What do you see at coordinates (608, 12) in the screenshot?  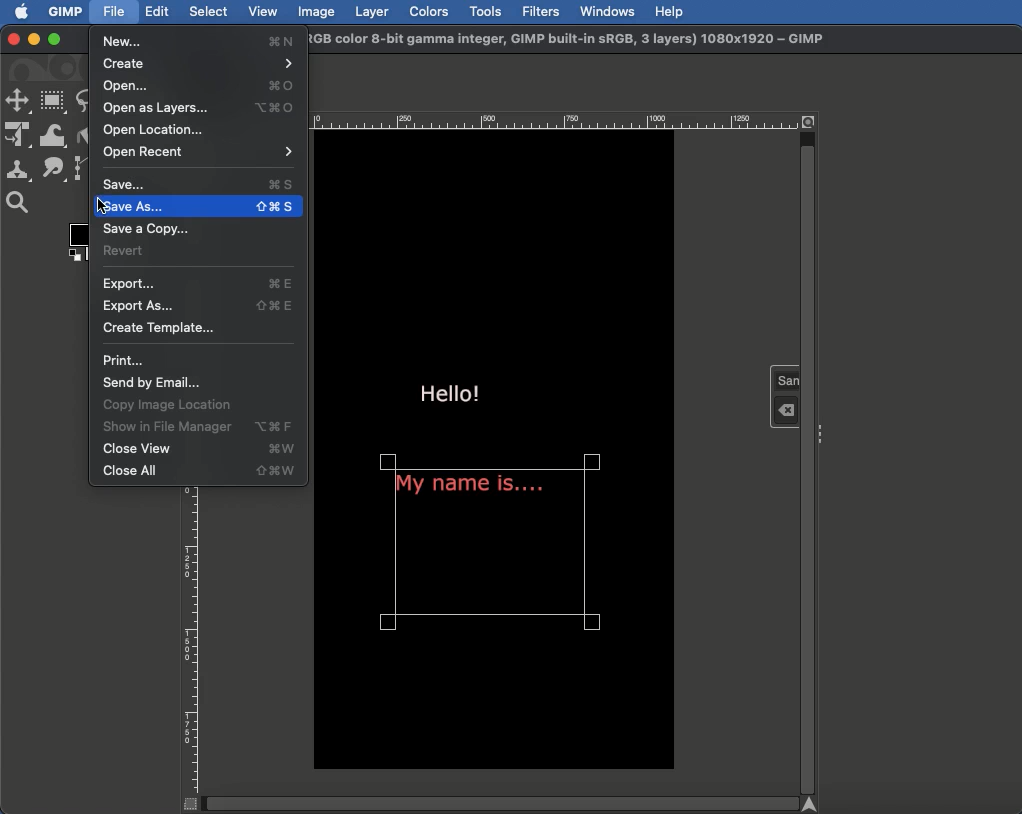 I see `Windows` at bounding box center [608, 12].